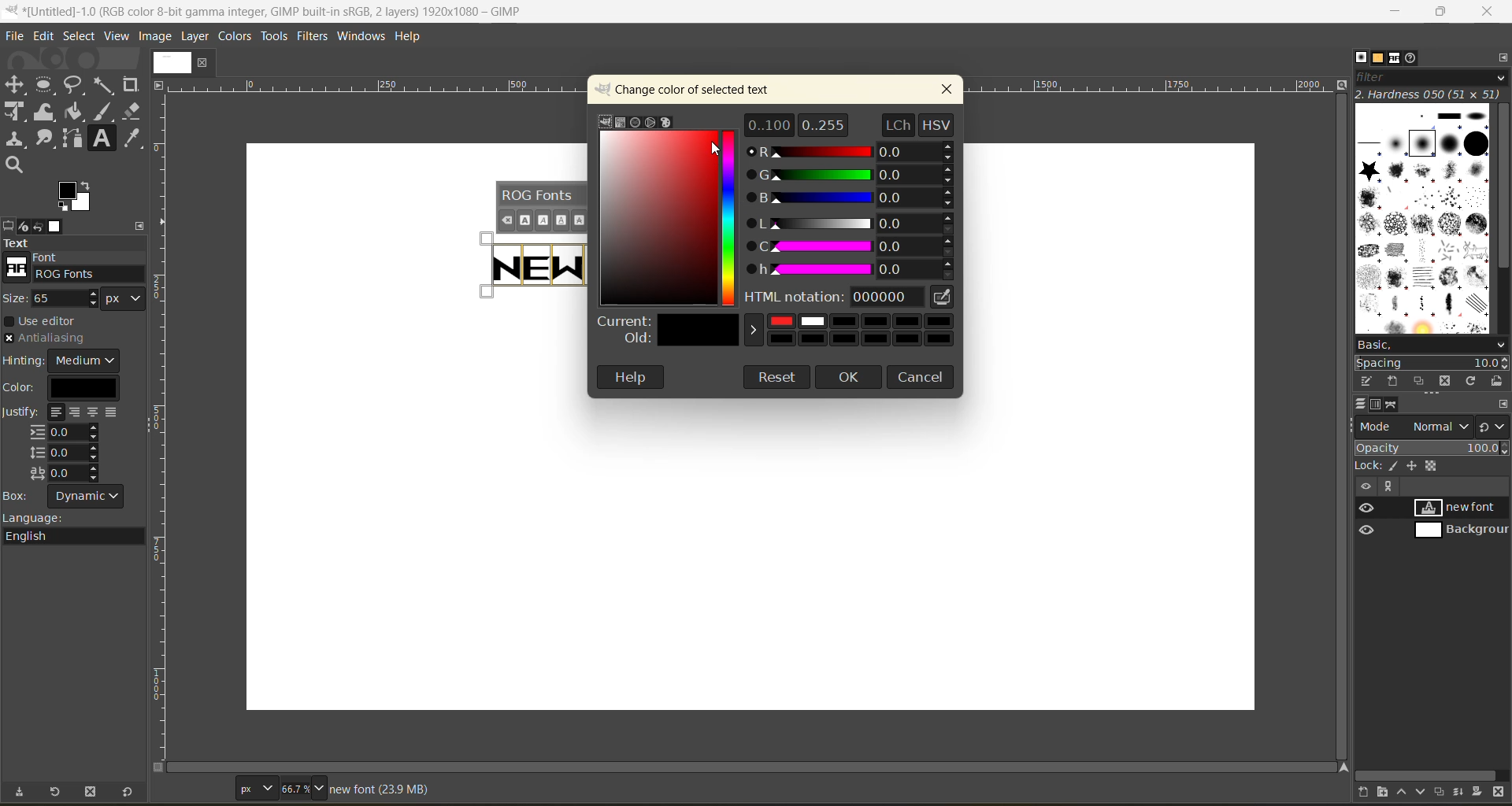 This screenshot has width=1512, height=806. Describe the element at coordinates (668, 121) in the screenshot. I see `palette` at that location.